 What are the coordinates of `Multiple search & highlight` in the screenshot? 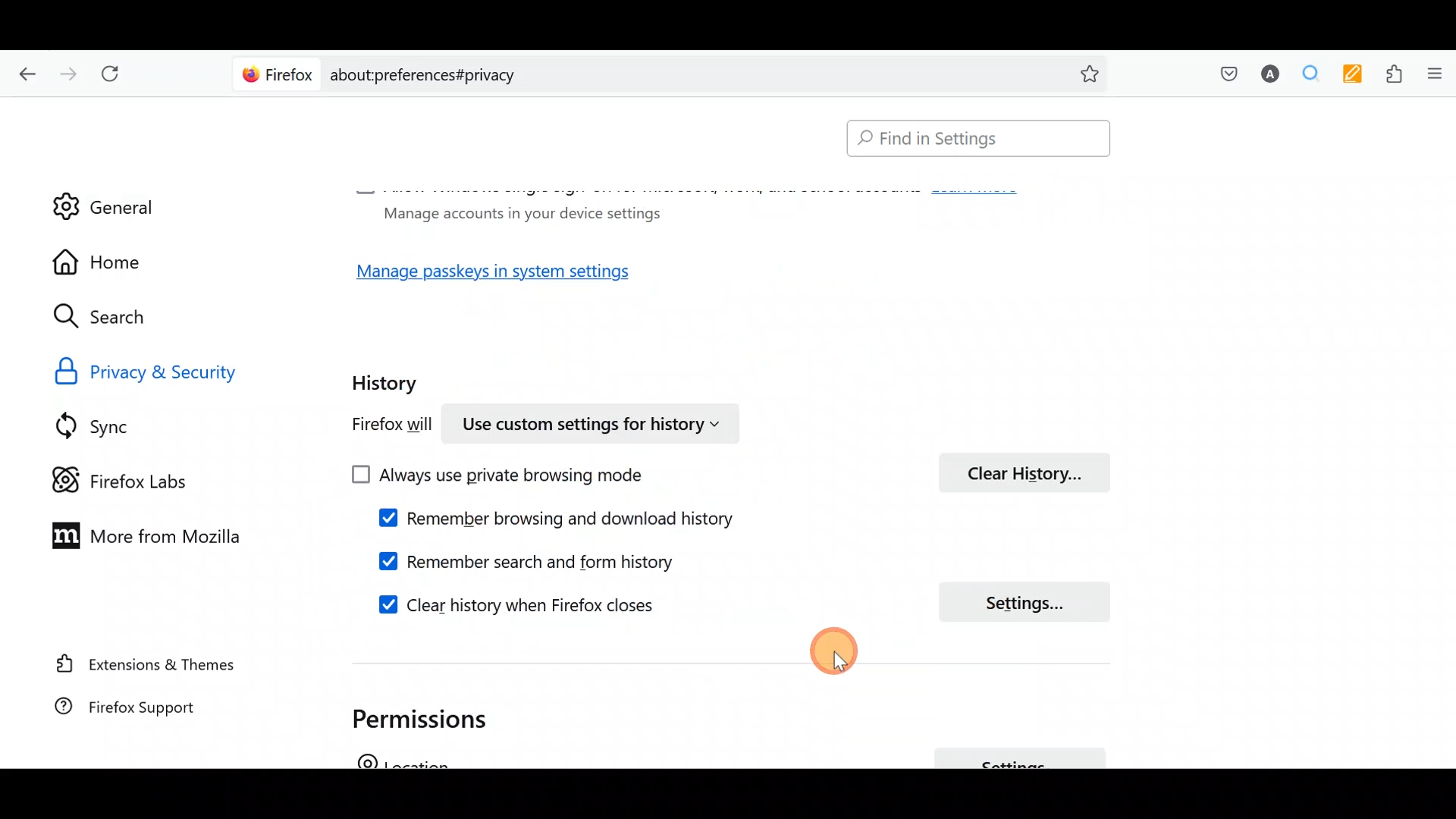 It's located at (1305, 75).